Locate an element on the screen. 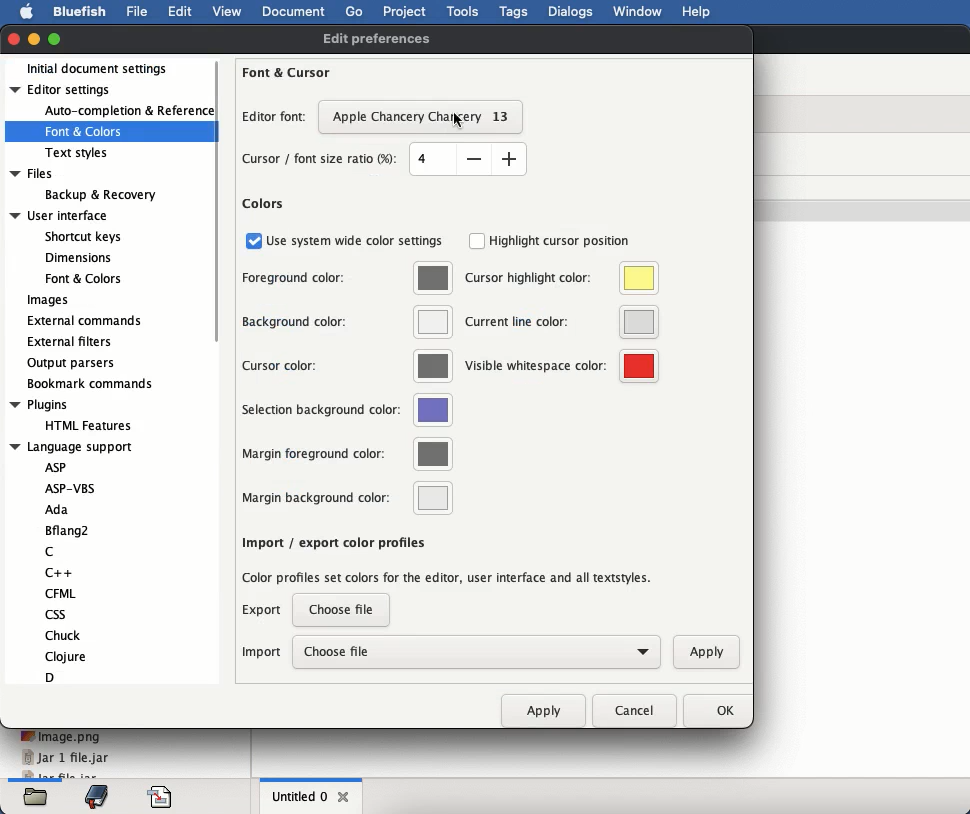 This screenshot has width=970, height=814. view is located at coordinates (230, 11).